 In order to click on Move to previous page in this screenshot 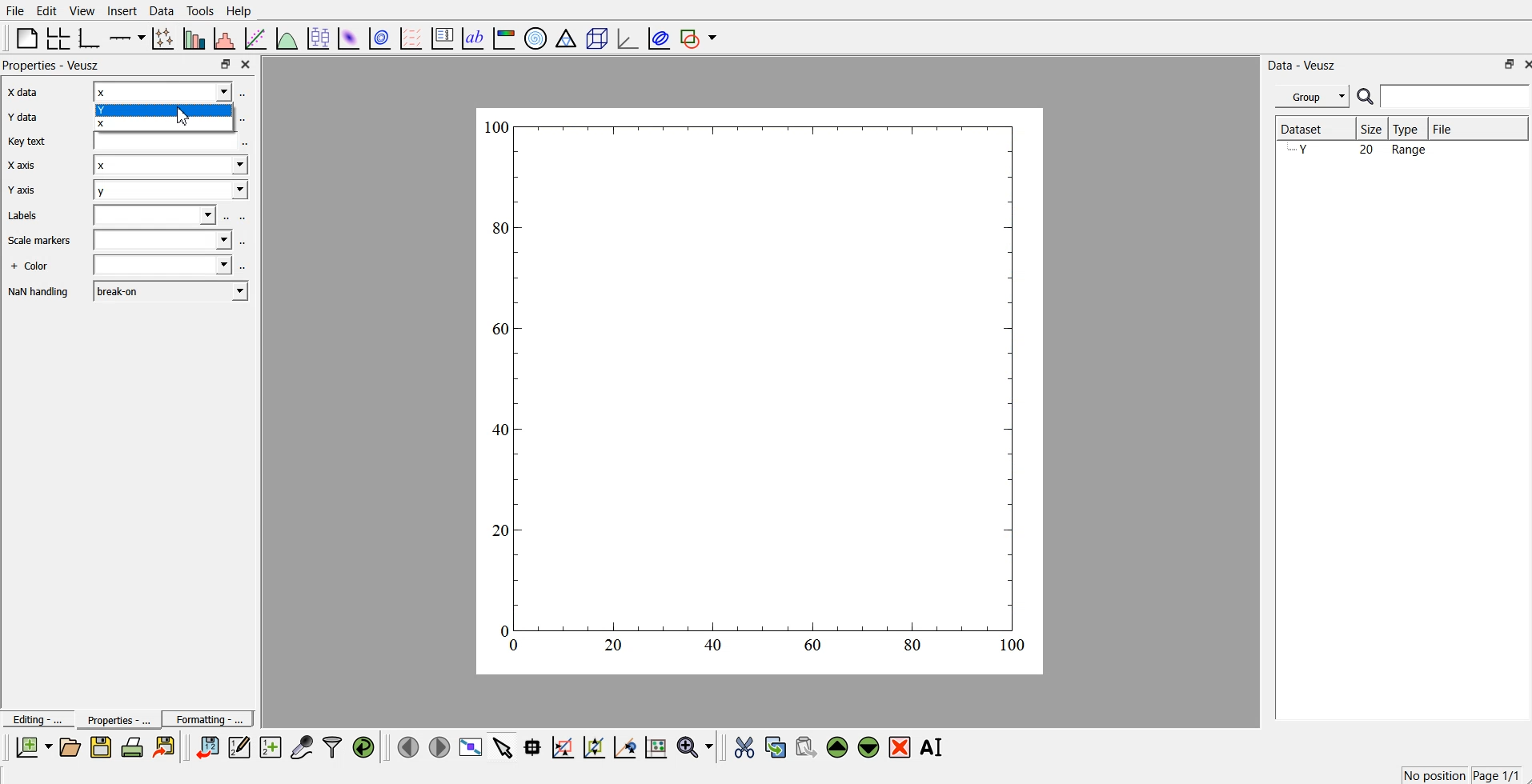, I will do `click(406, 746)`.